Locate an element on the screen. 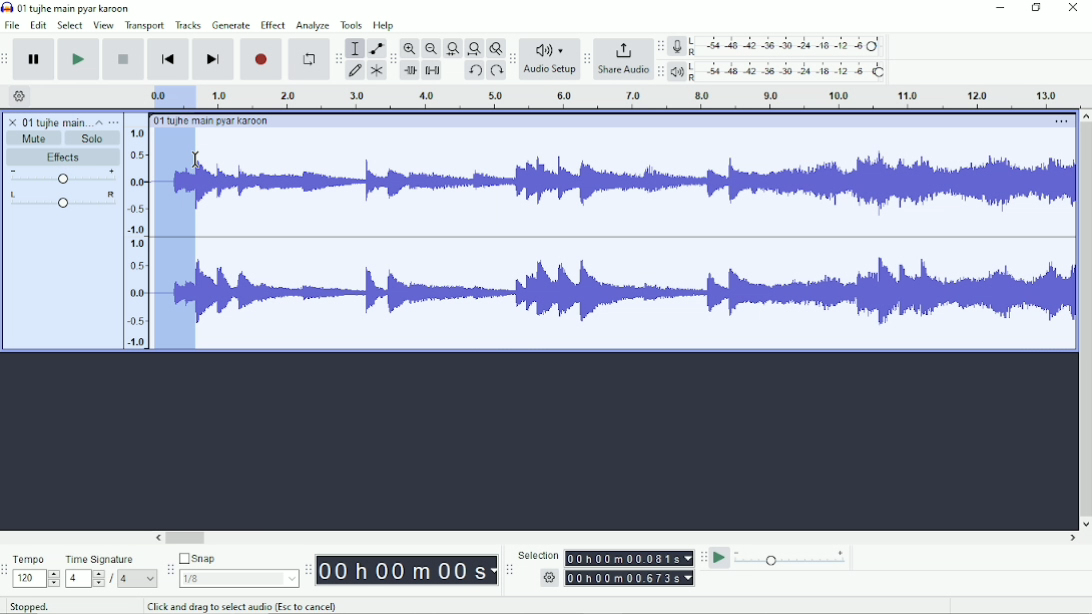  Minimize is located at coordinates (1001, 8).